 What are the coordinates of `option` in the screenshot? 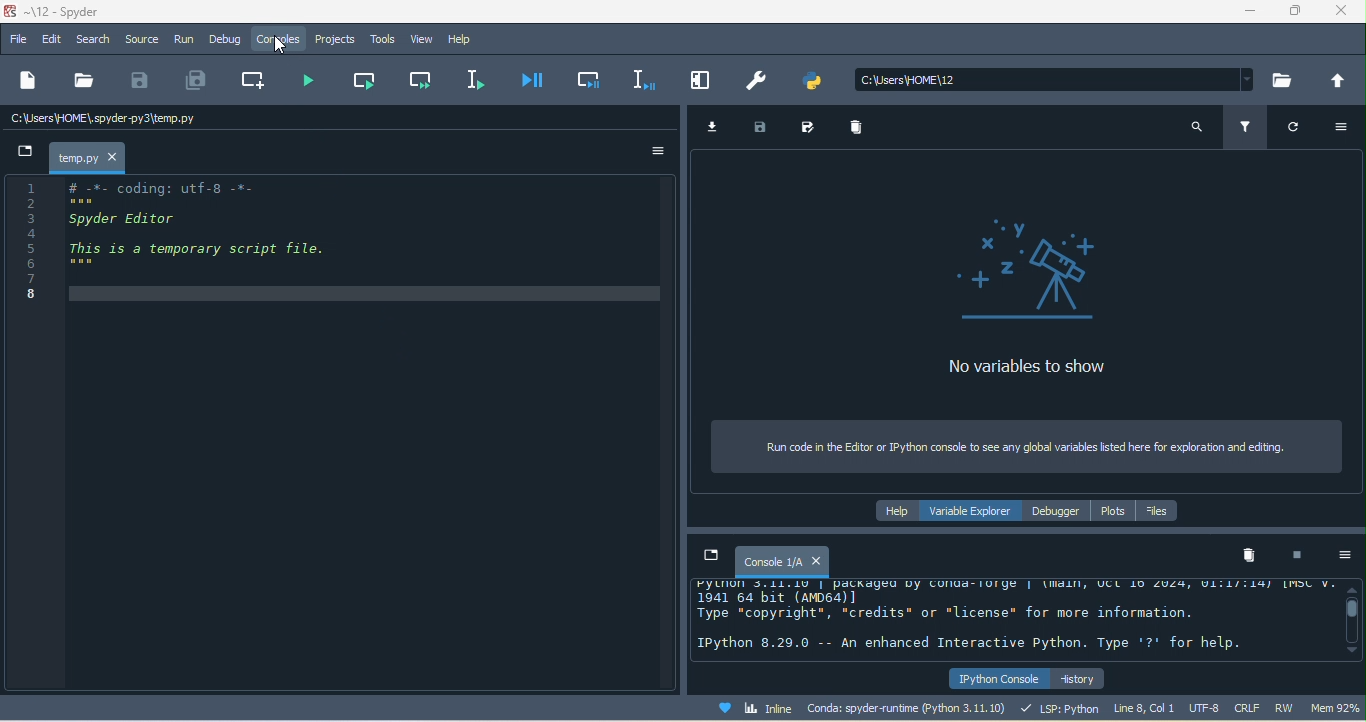 It's located at (1346, 128).